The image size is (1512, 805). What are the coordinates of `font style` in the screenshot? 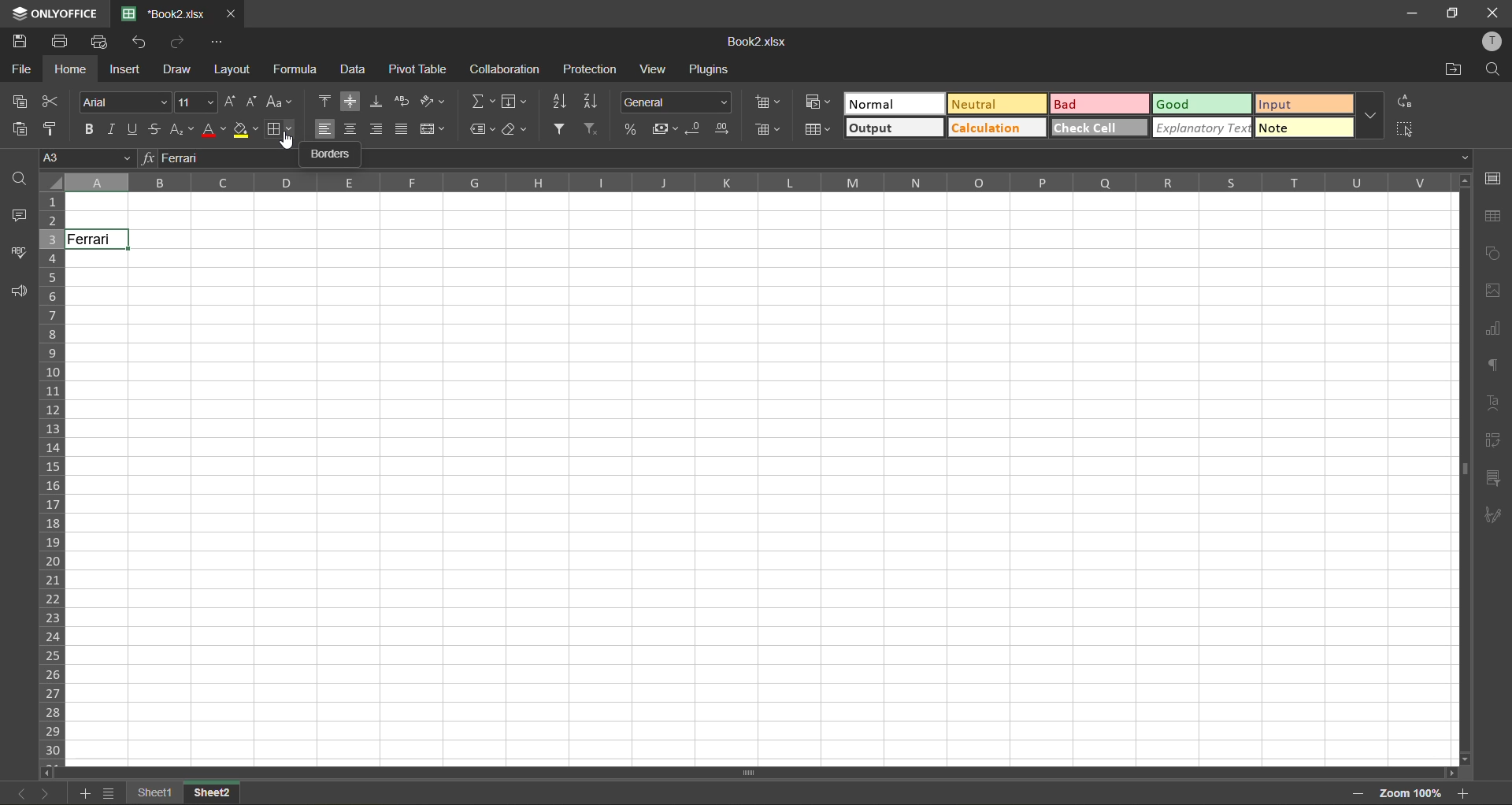 It's located at (122, 101).